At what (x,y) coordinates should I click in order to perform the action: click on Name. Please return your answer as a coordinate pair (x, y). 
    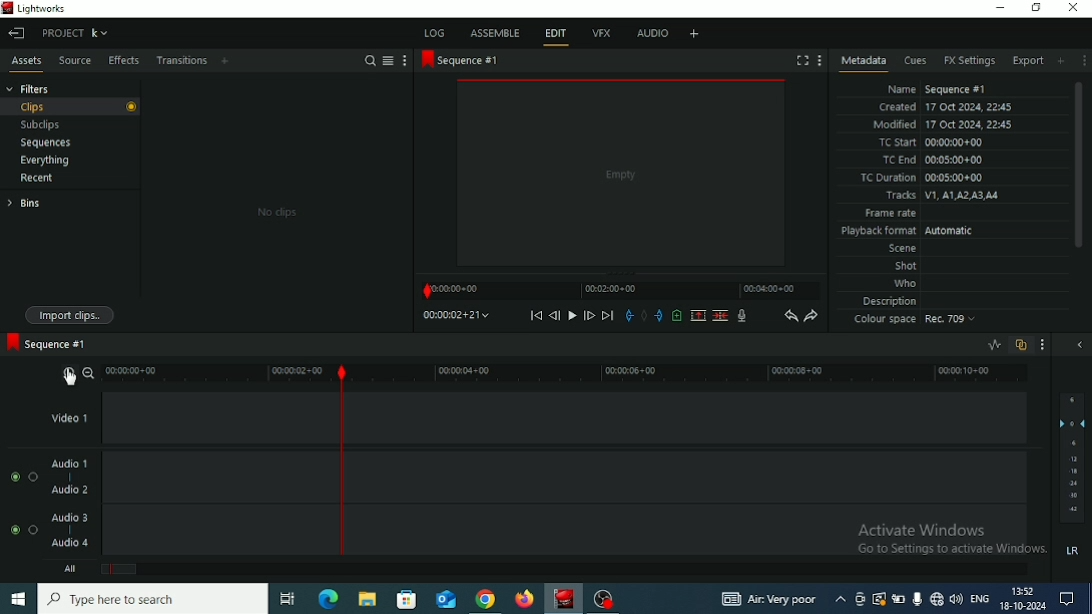
    Looking at the image, I should click on (940, 89).